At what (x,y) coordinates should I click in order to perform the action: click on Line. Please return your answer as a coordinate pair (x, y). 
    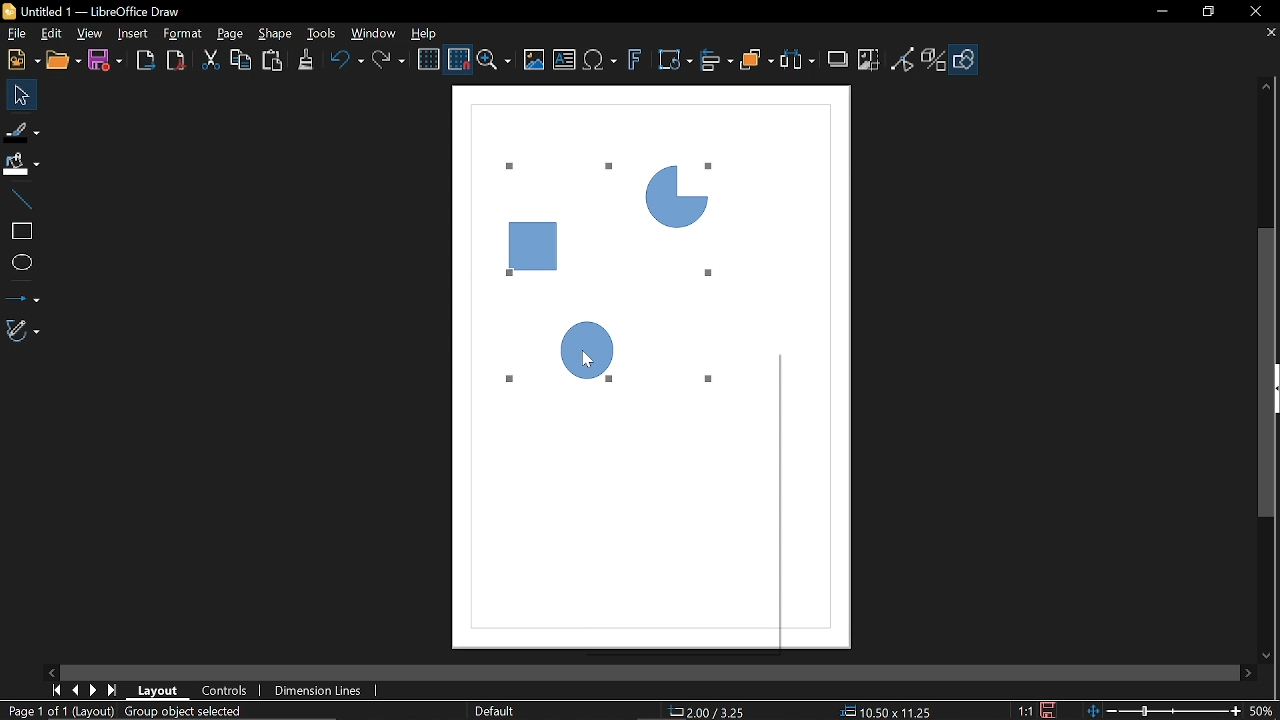
    Looking at the image, I should click on (18, 195).